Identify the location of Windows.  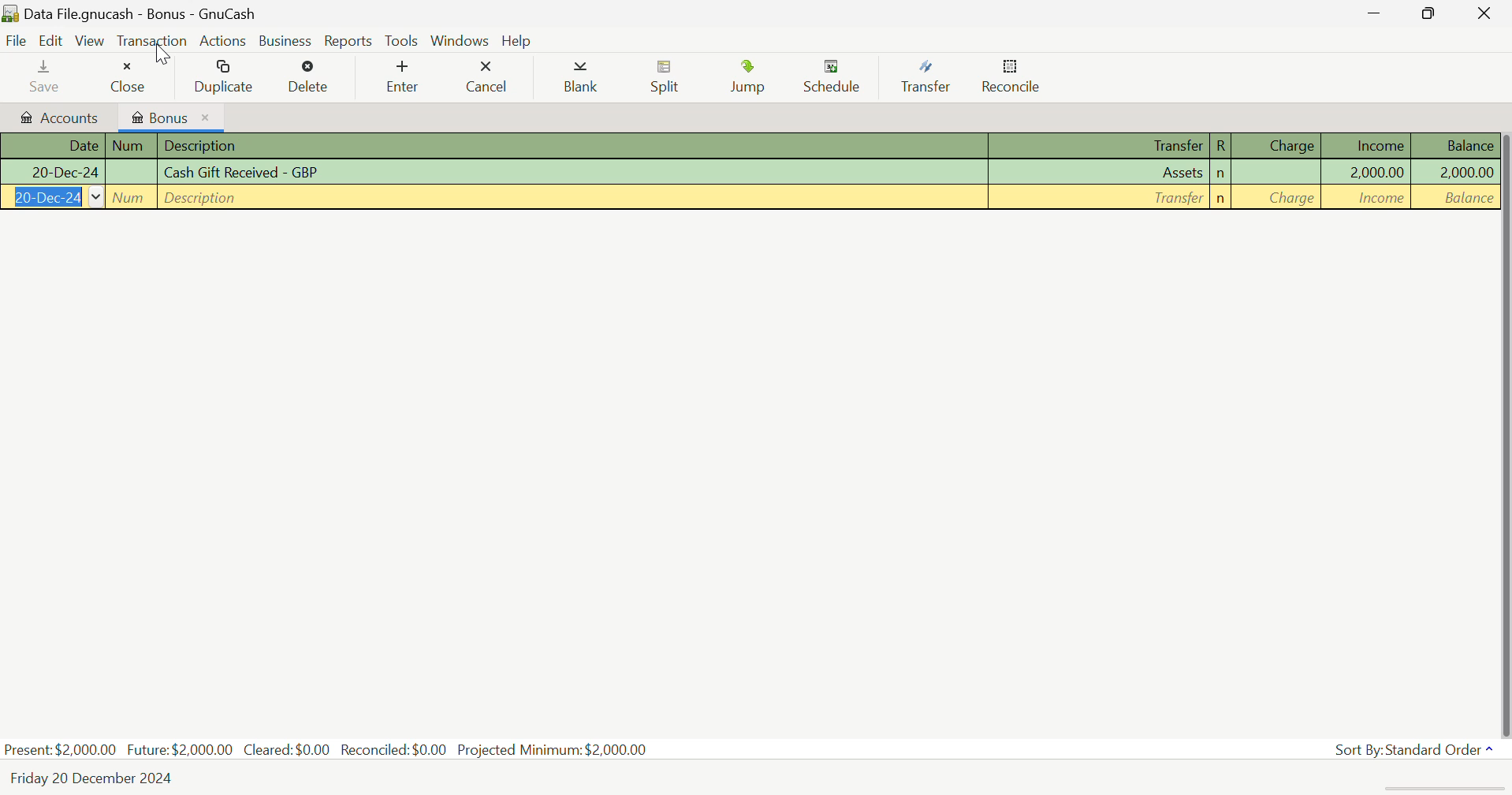
(460, 39).